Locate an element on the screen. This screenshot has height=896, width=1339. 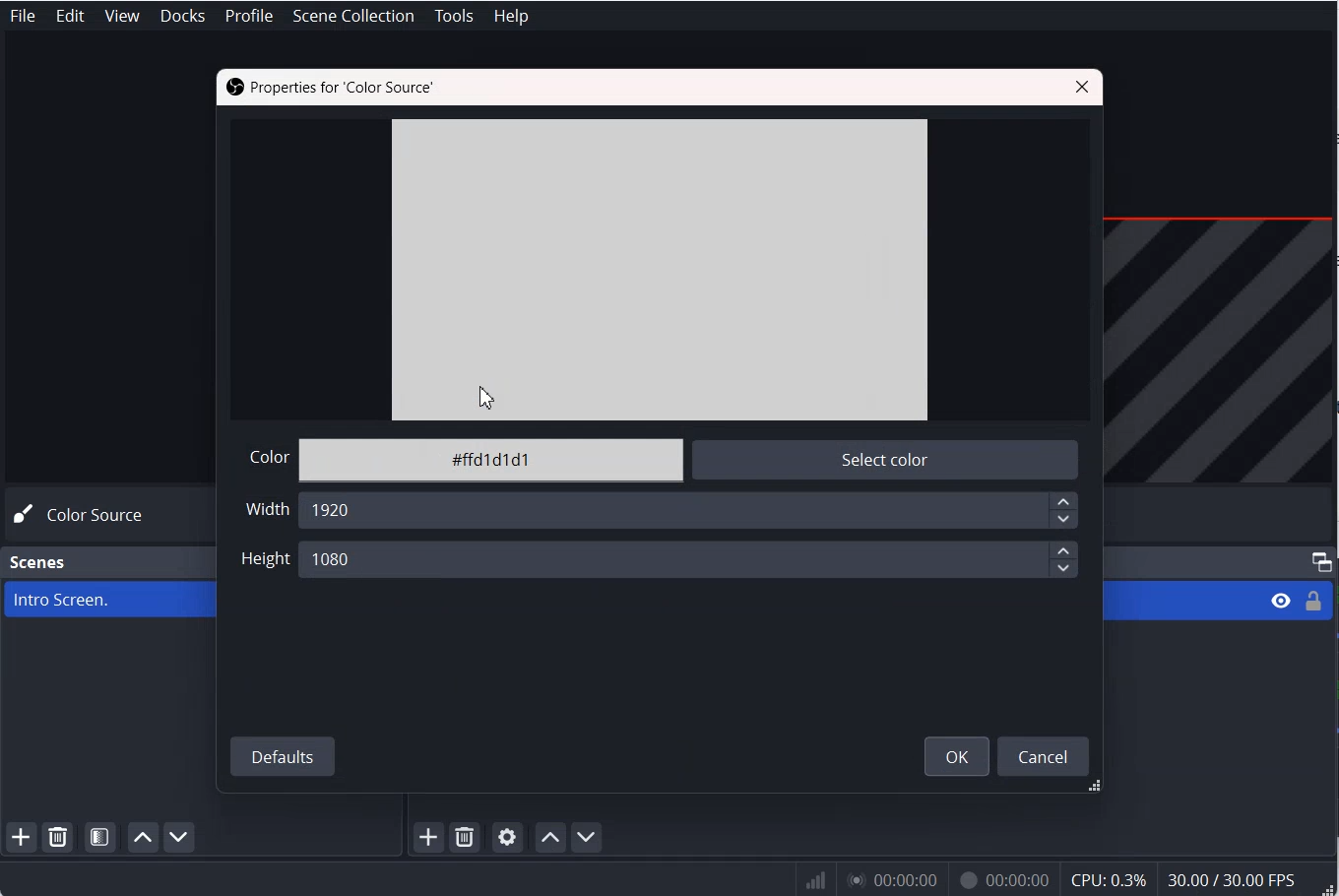
00:00:00 is located at coordinates (1000, 882).